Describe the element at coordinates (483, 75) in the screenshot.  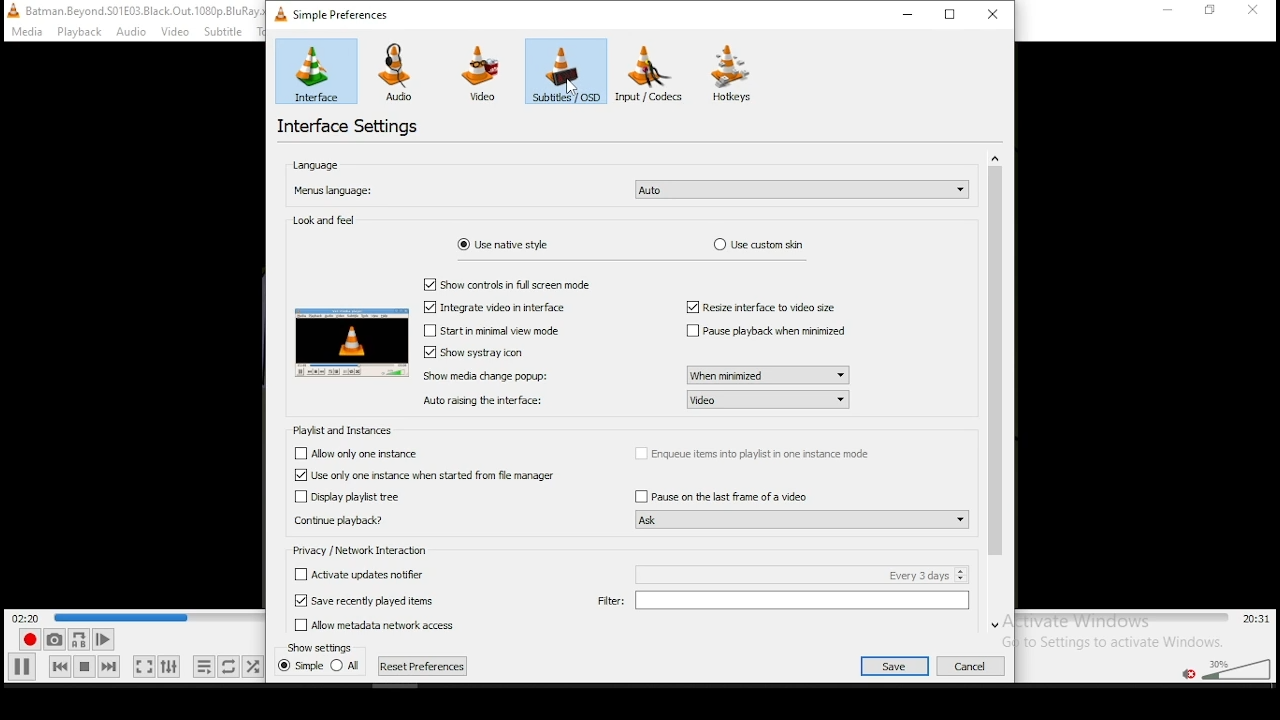
I see `video` at that location.